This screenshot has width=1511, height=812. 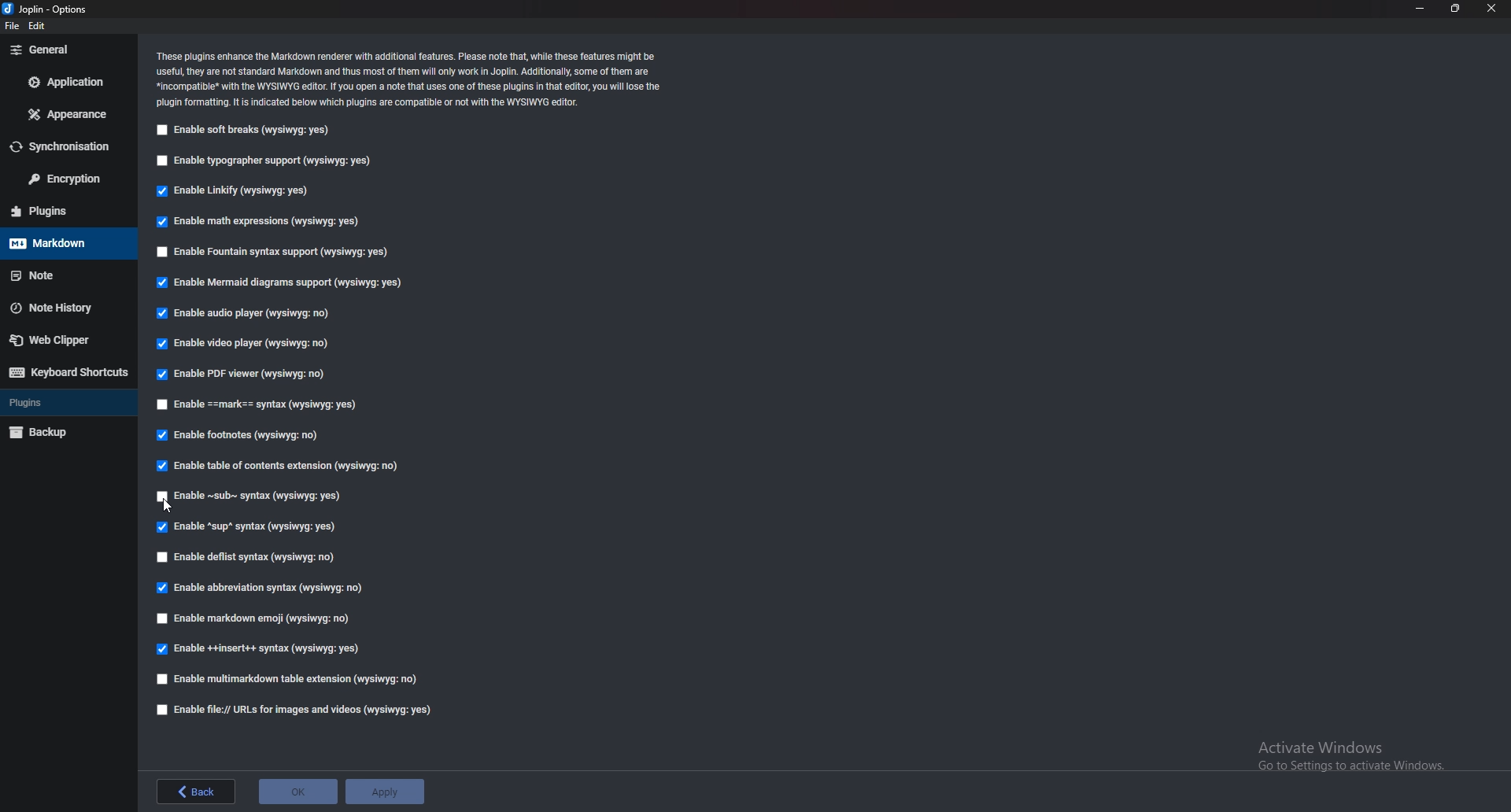 What do you see at coordinates (1491, 9) in the screenshot?
I see `close` at bounding box center [1491, 9].